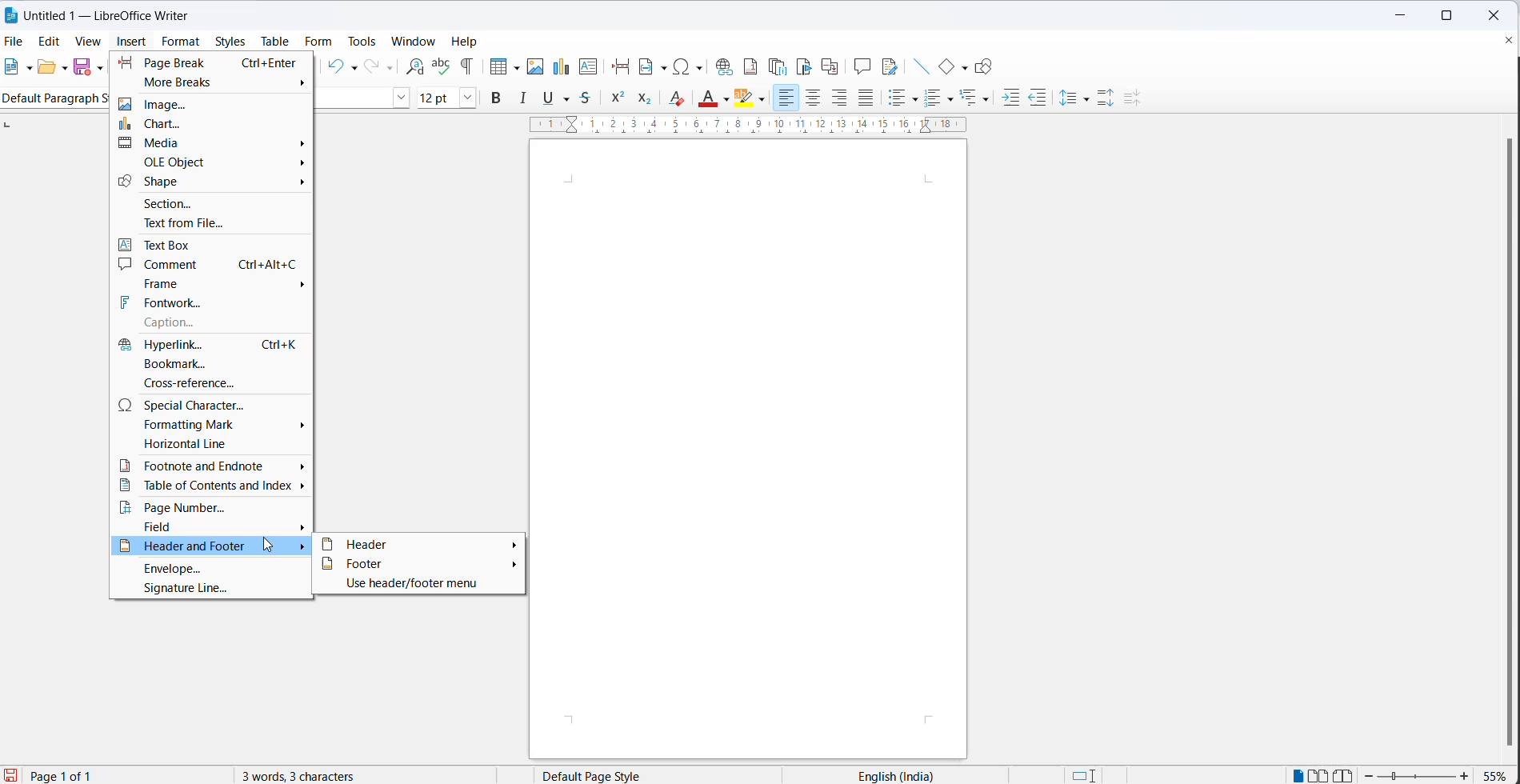 This screenshot has width=1520, height=784. Describe the element at coordinates (210, 205) in the screenshot. I see `section` at that location.